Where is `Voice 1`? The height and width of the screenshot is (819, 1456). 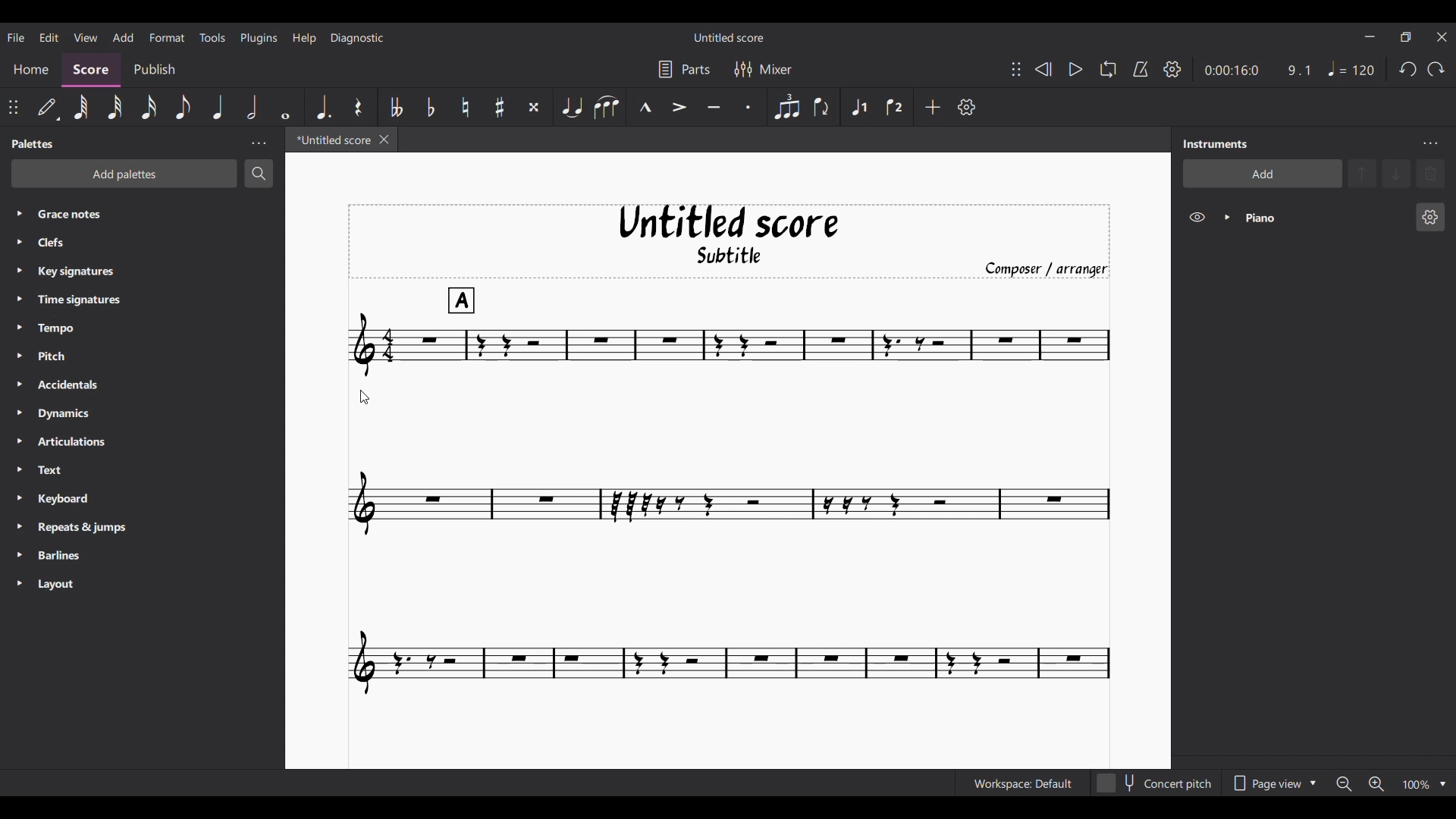 Voice 1 is located at coordinates (858, 108).